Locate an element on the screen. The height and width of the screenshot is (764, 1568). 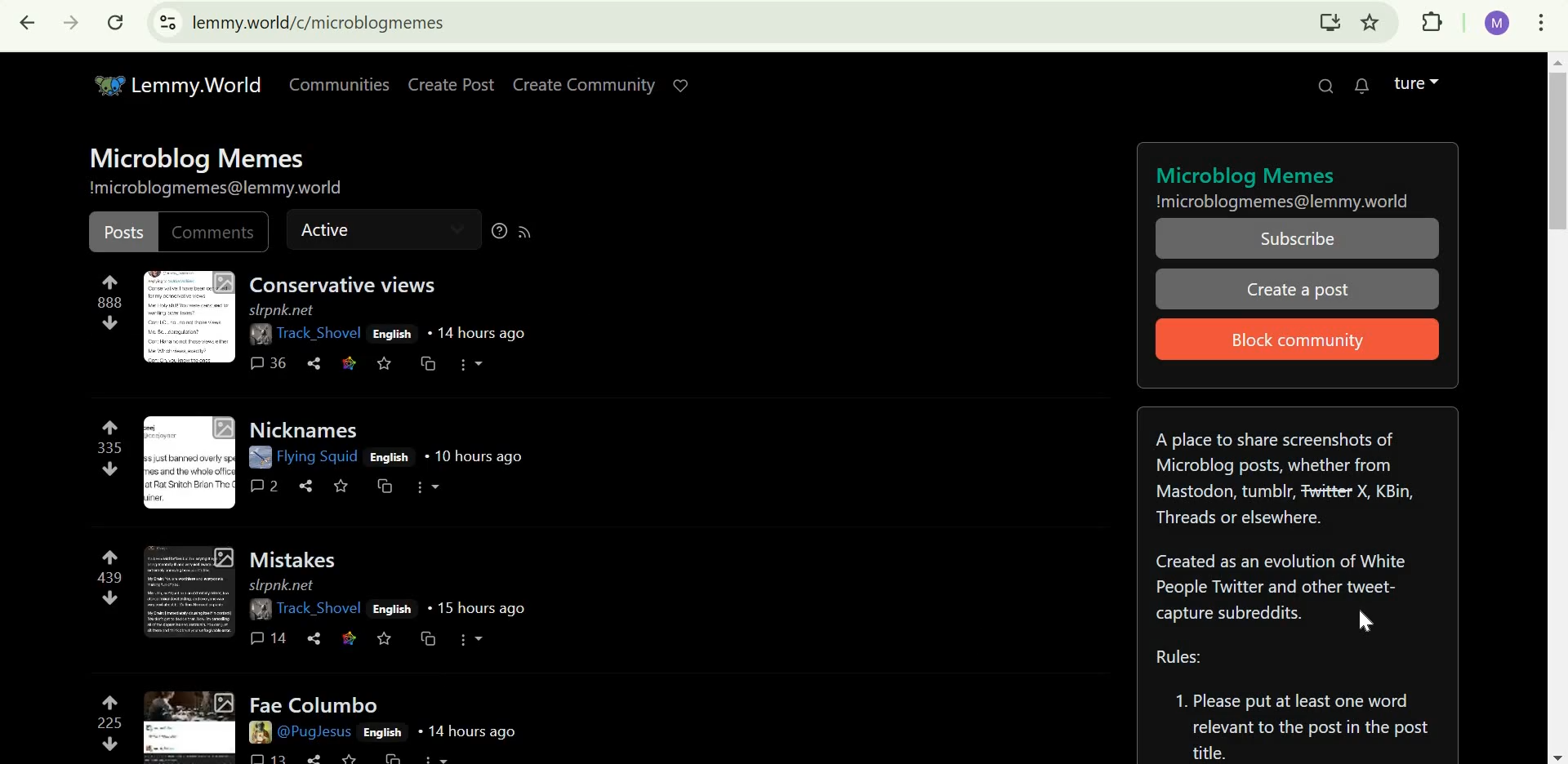
downvote is located at coordinates (112, 469).